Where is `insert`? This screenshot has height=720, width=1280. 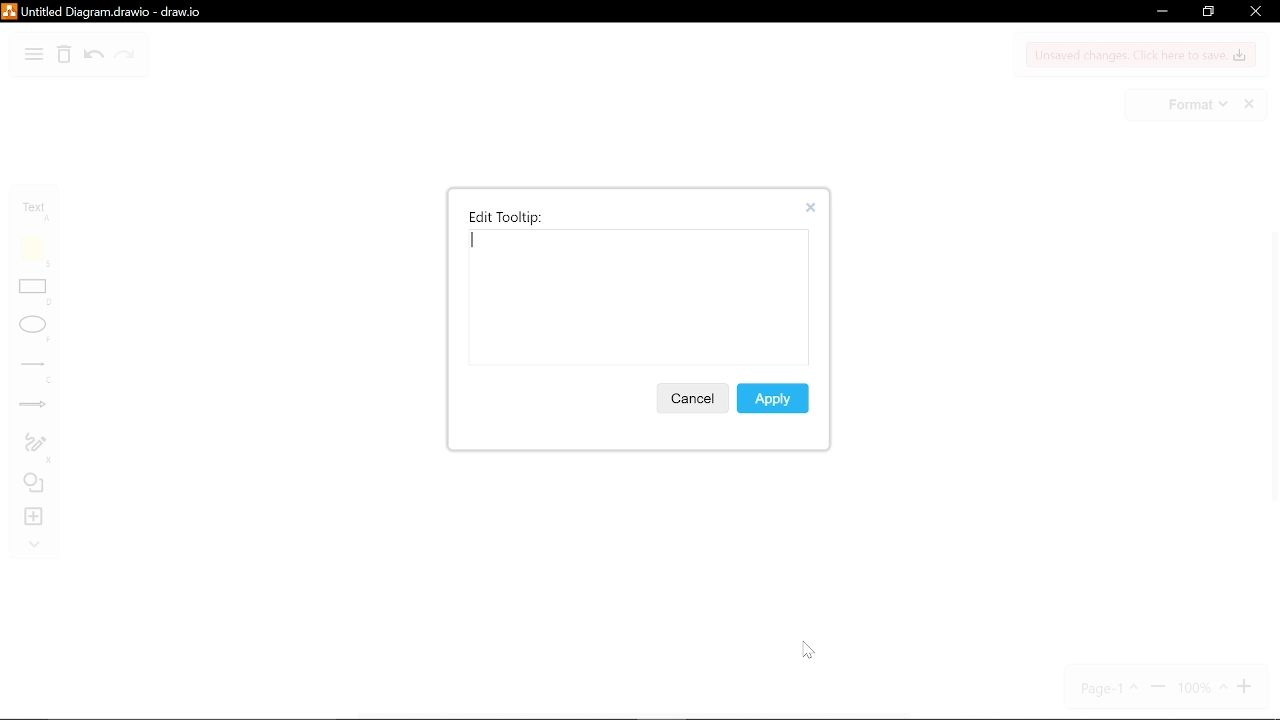 insert is located at coordinates (36, 517).